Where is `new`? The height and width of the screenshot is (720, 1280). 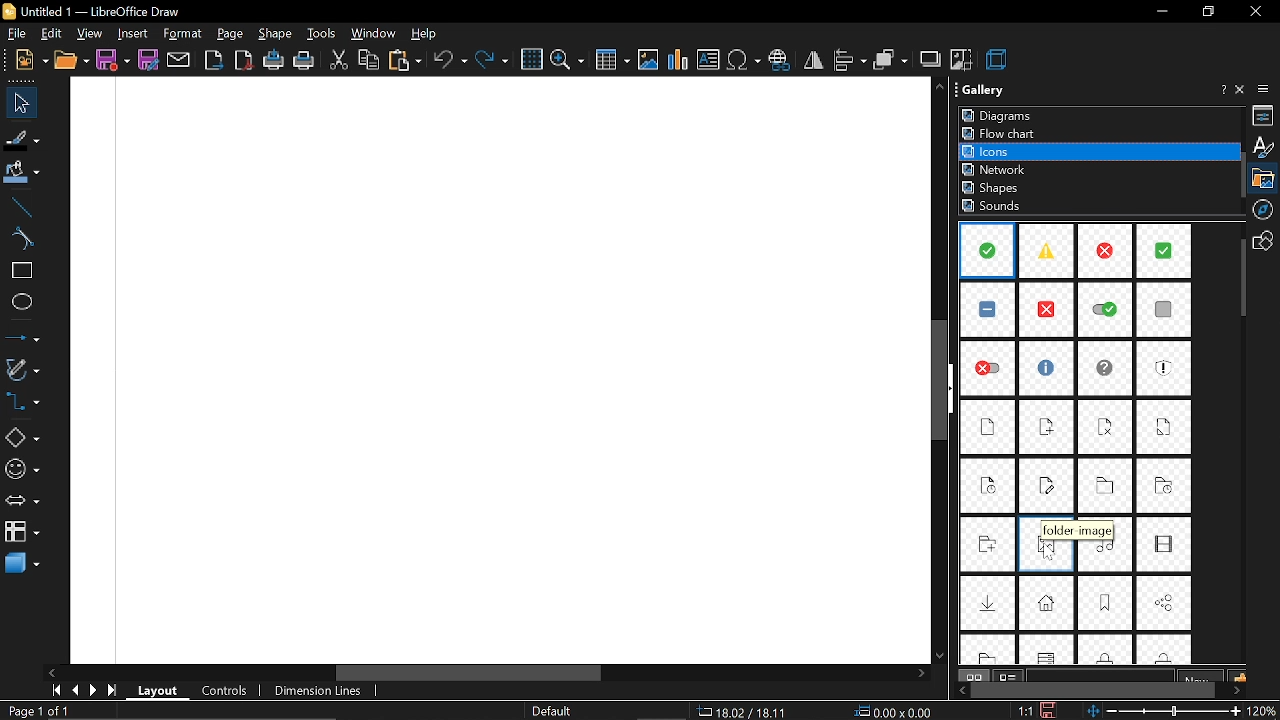
new is located at coordinates (25, 59).